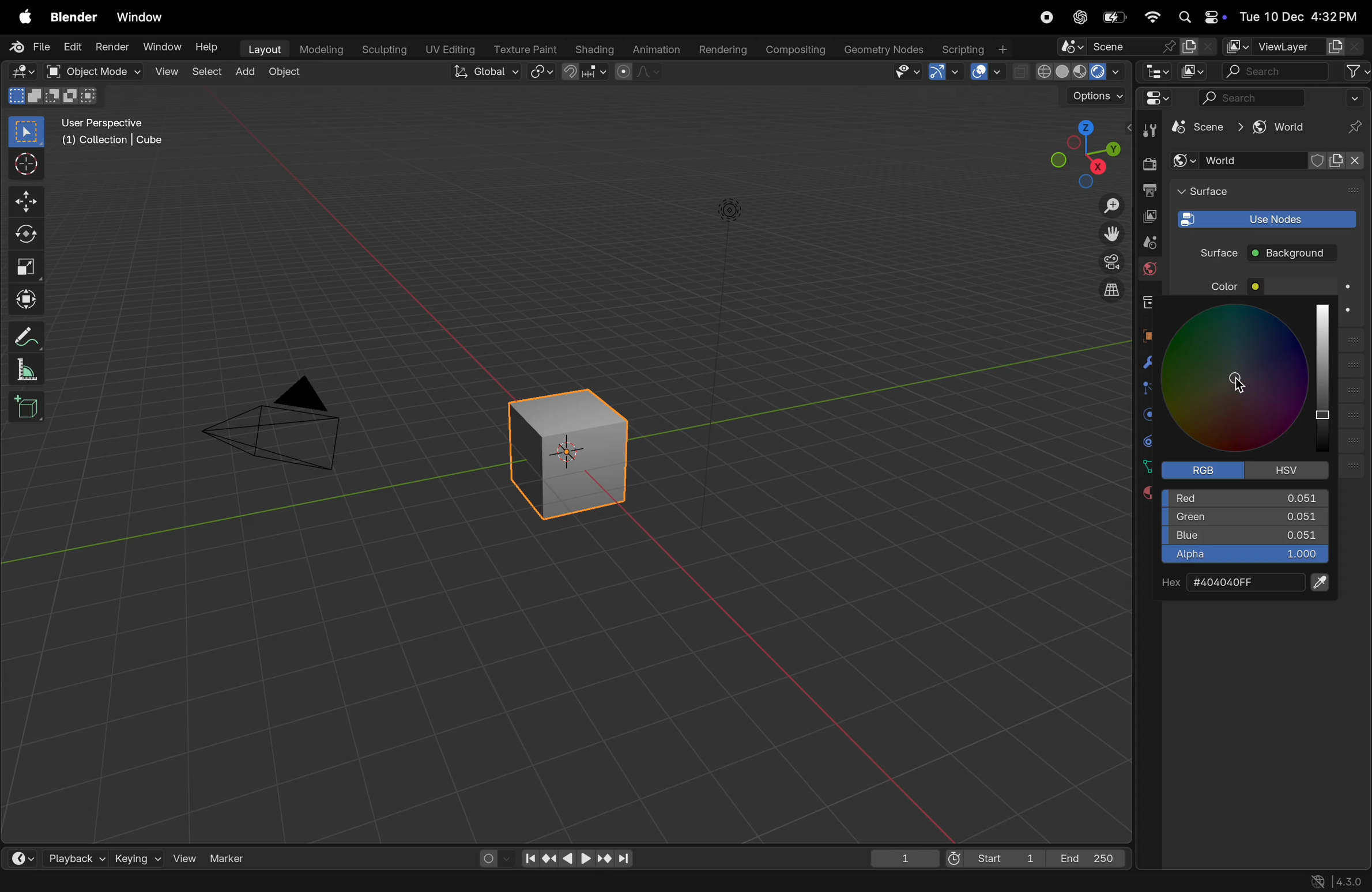 The width and height of the screenshot is (1372, 892). What do you see at coordinates (1140, 494) in the screenshot?
I see `material` at bounding box center [1140, 494].